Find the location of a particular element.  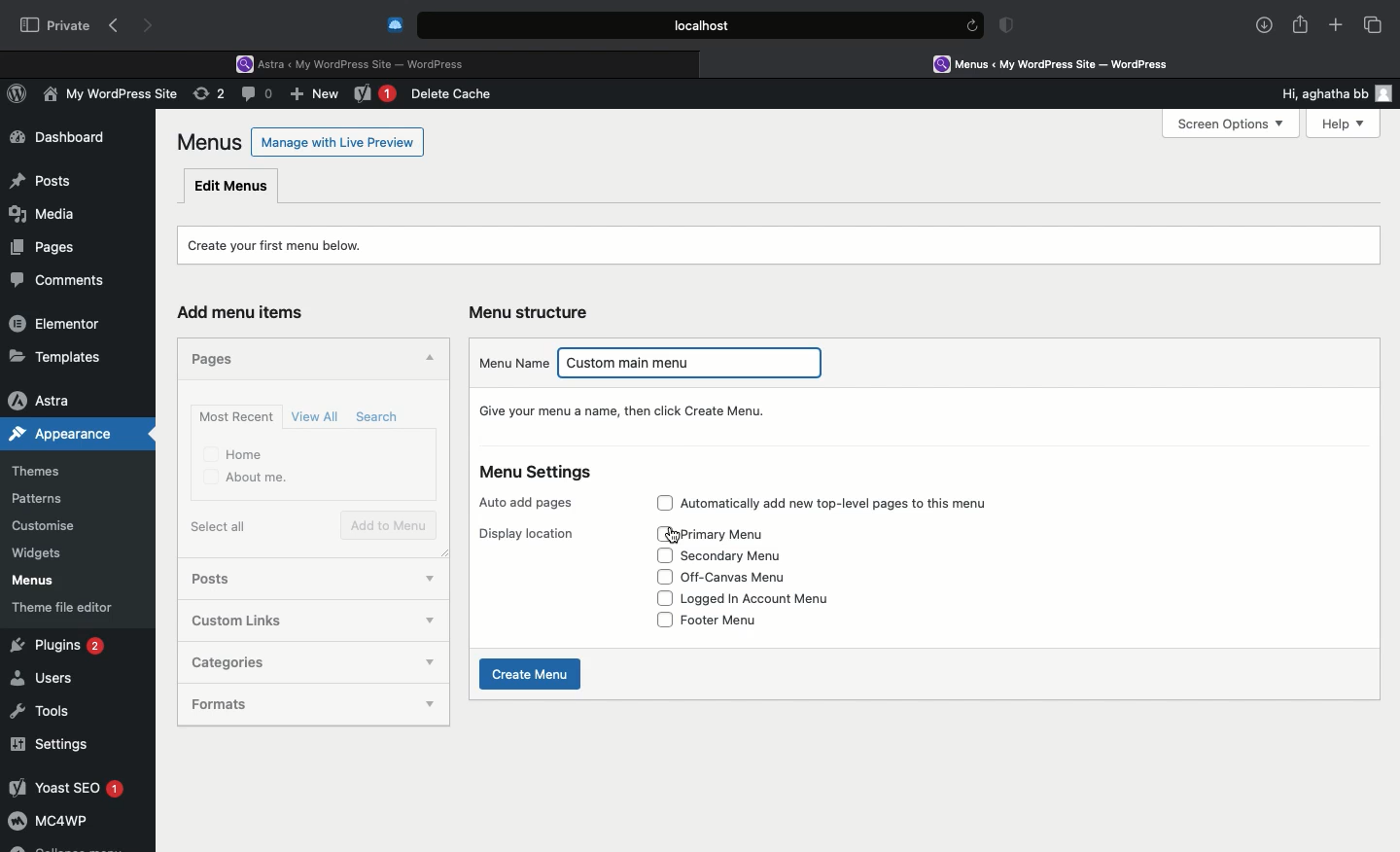

Menus is located at coordinates (211, 142).